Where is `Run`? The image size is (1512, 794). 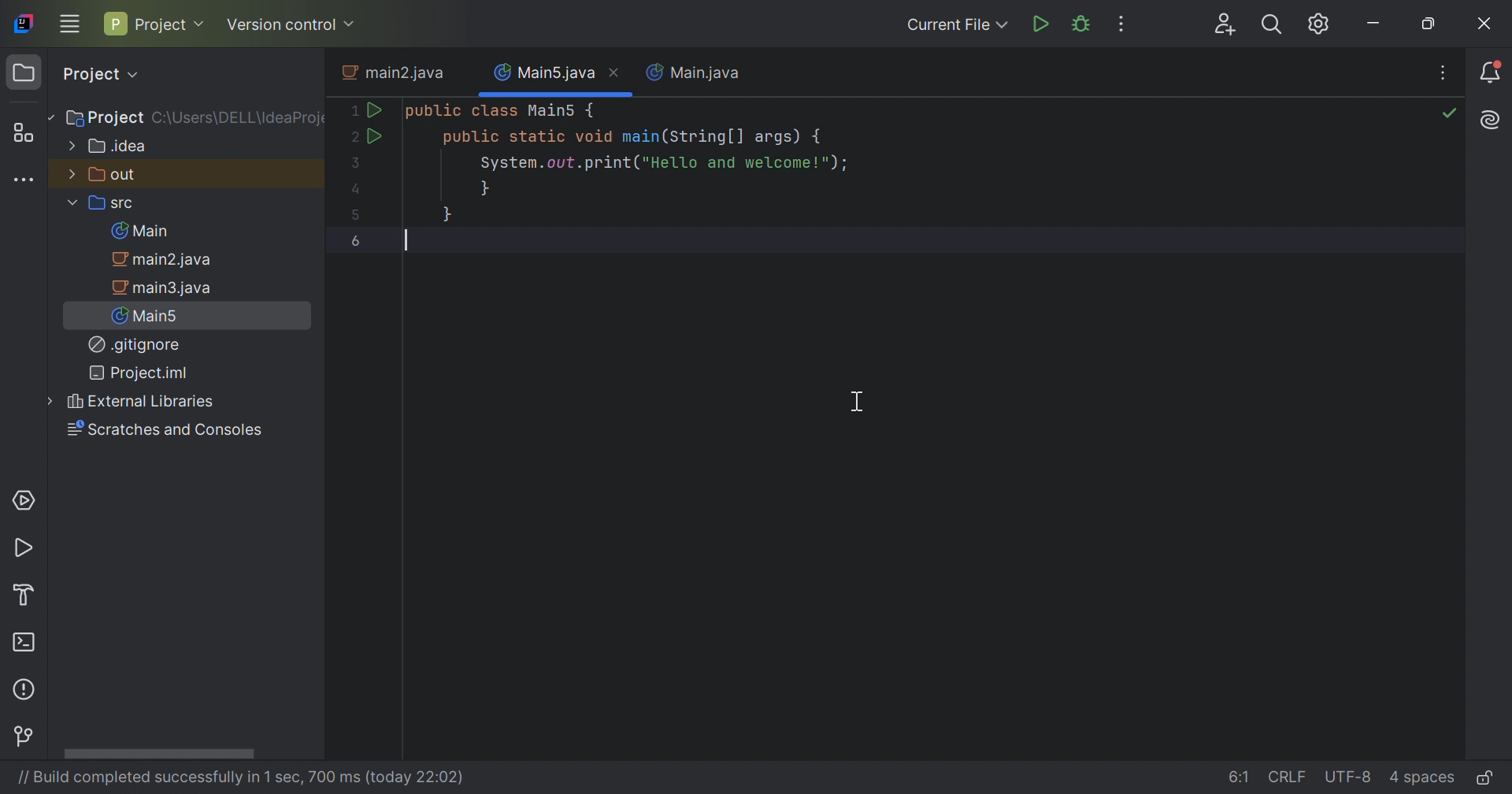
Run is located at coordinates (373, 135).